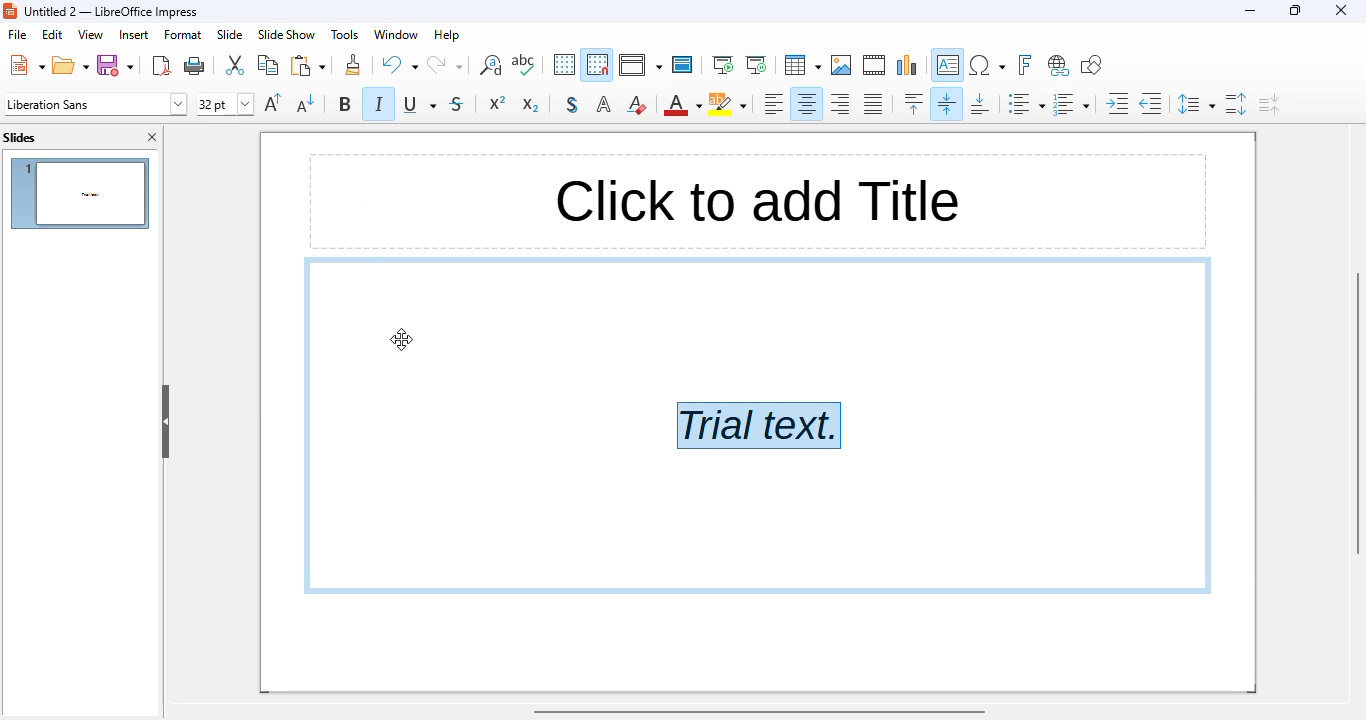 This screenshot has height=720, width=1366. What do you see at coordinates (117, 11) in the screenshot?
I see `Untitled 2 — LibreOffice Impress` at bounding box center [117, 11].